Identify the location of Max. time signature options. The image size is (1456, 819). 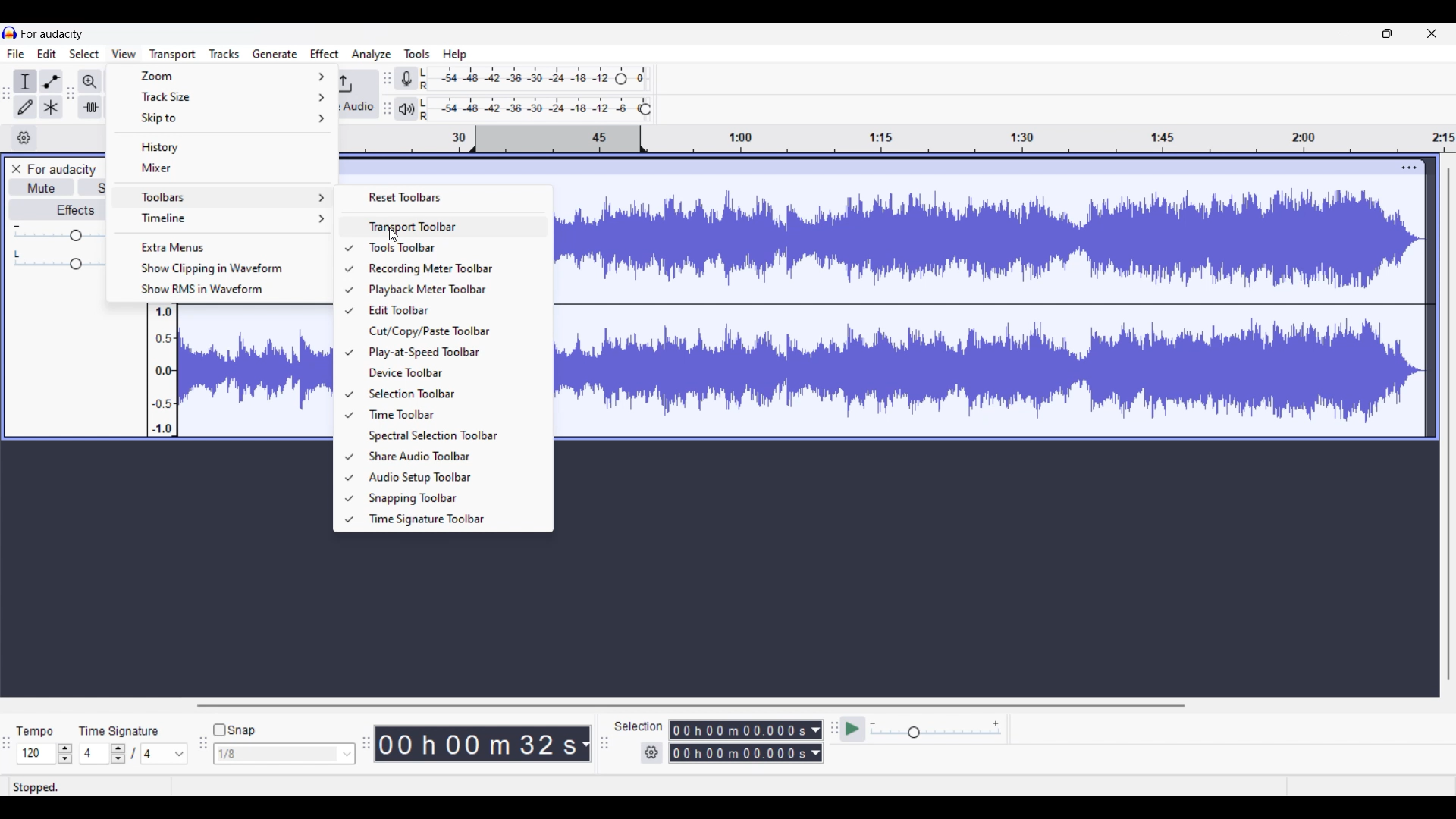
(165, 754).